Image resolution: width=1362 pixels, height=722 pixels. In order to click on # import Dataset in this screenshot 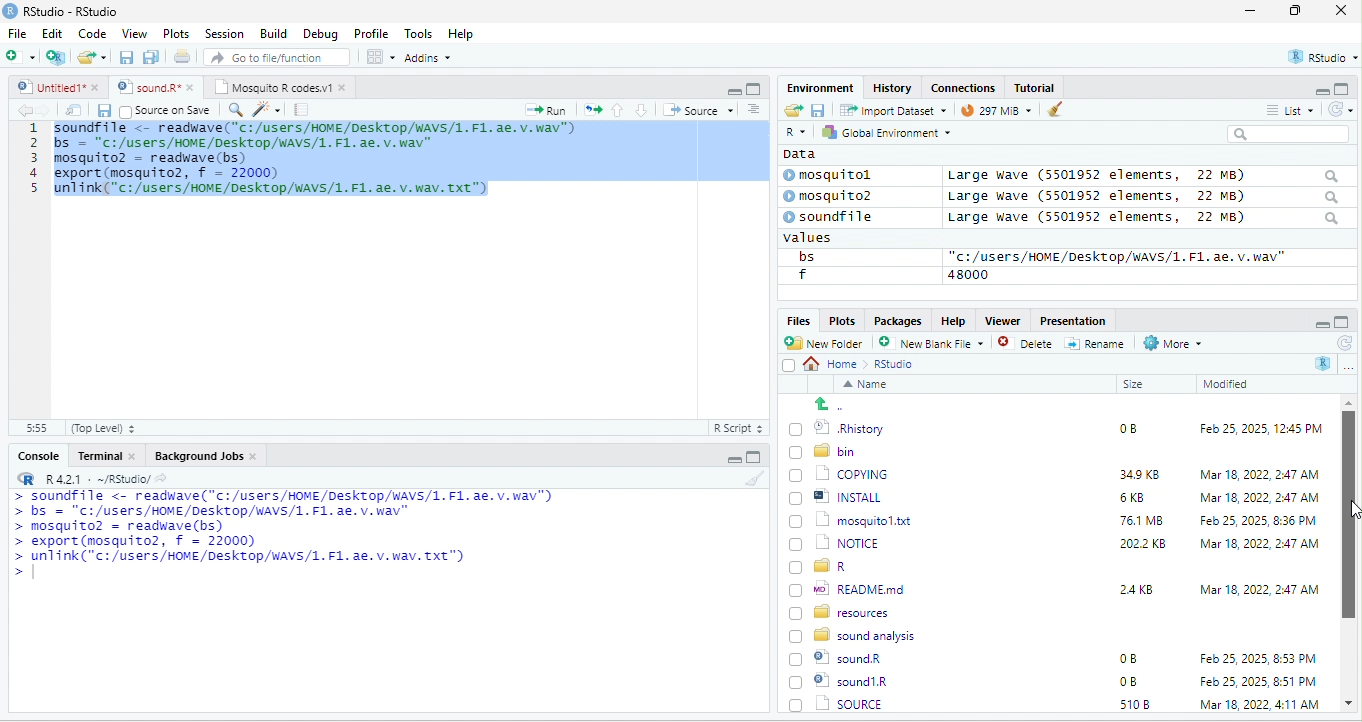, I will do `click(891, 109)`.